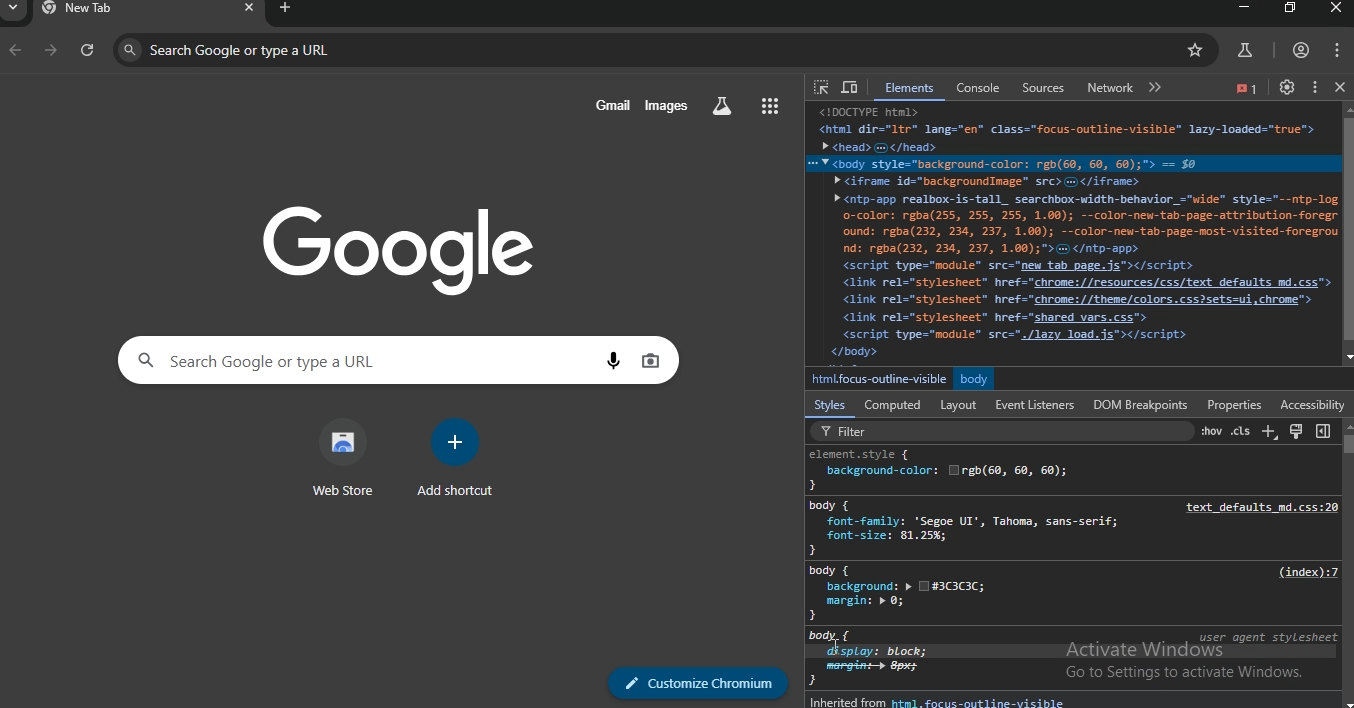  What do you see at coordinates (1346, 225) in the screenshot?
I see `scrollbar` at bounding box center [1346, 225].